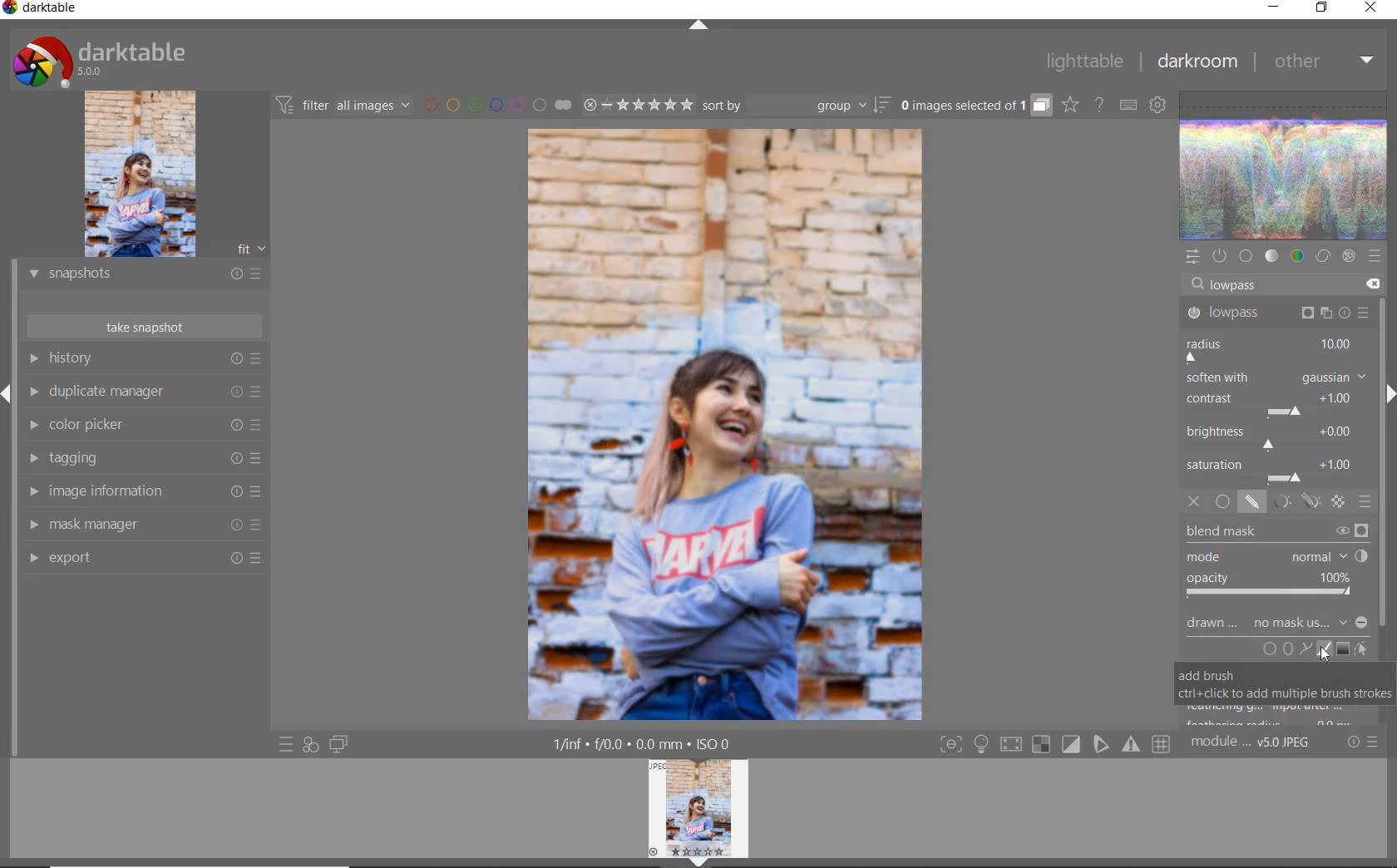  What do you see at coordinates (141, 427) in the screenshot?
I see `color picker` at bounding box center [141, 427].